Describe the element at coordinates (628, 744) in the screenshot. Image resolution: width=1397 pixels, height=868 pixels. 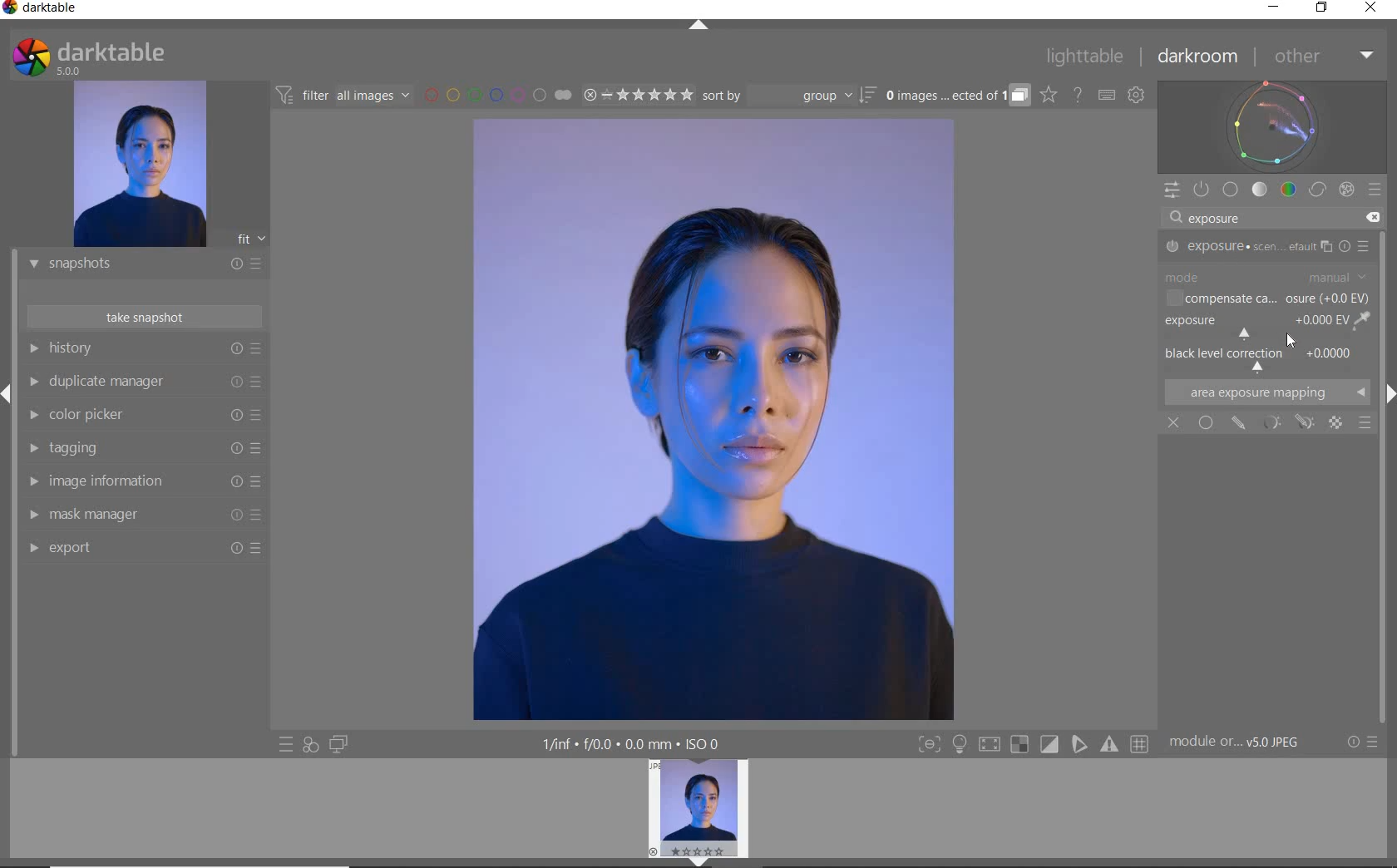
I see `DISPLAYED GUI INFO` at that location.